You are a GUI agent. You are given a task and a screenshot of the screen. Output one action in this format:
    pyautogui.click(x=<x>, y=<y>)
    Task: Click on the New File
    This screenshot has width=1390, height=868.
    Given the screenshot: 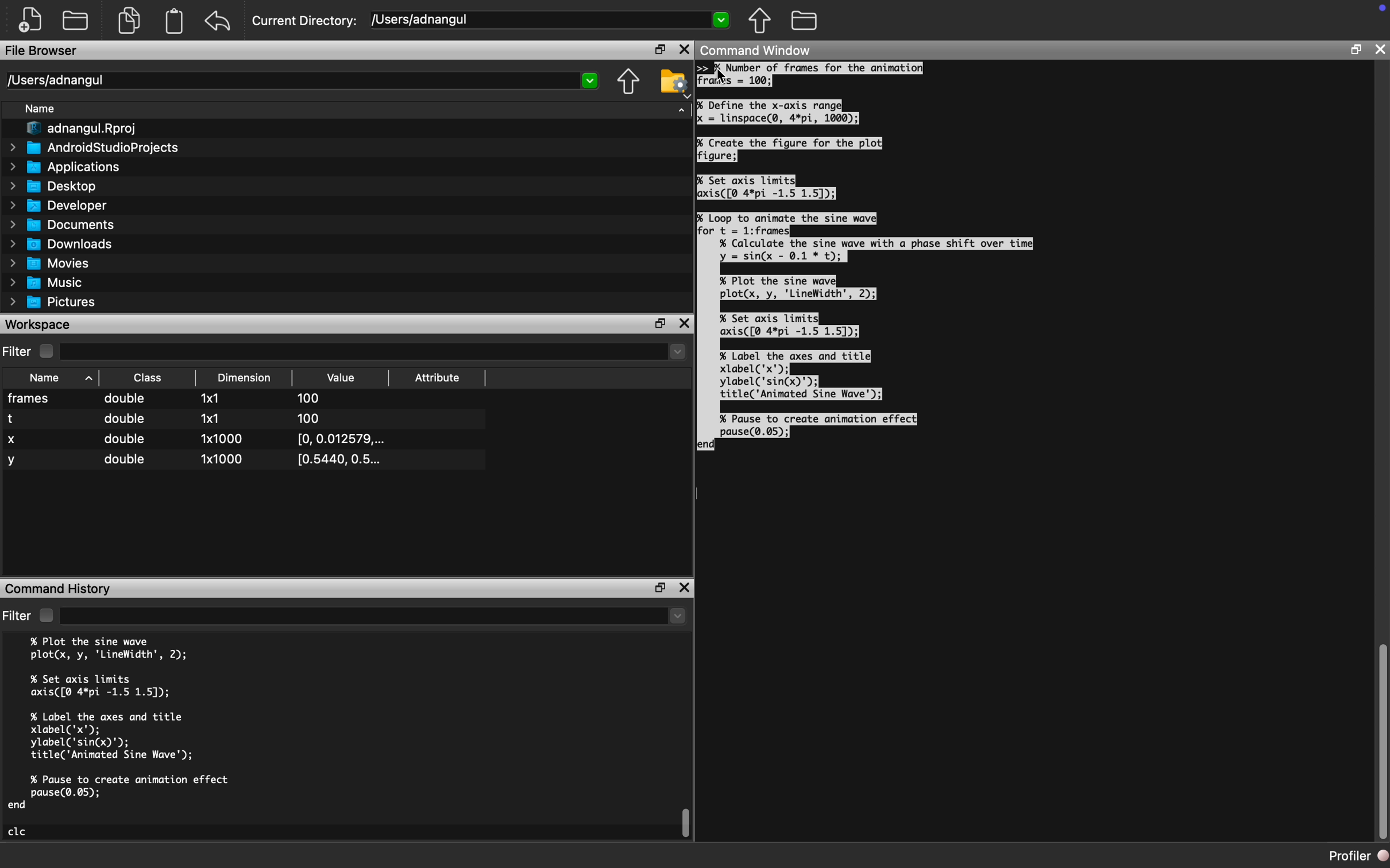 What is the action you would take?
    pyautogui.click(x=29, y=18)
    